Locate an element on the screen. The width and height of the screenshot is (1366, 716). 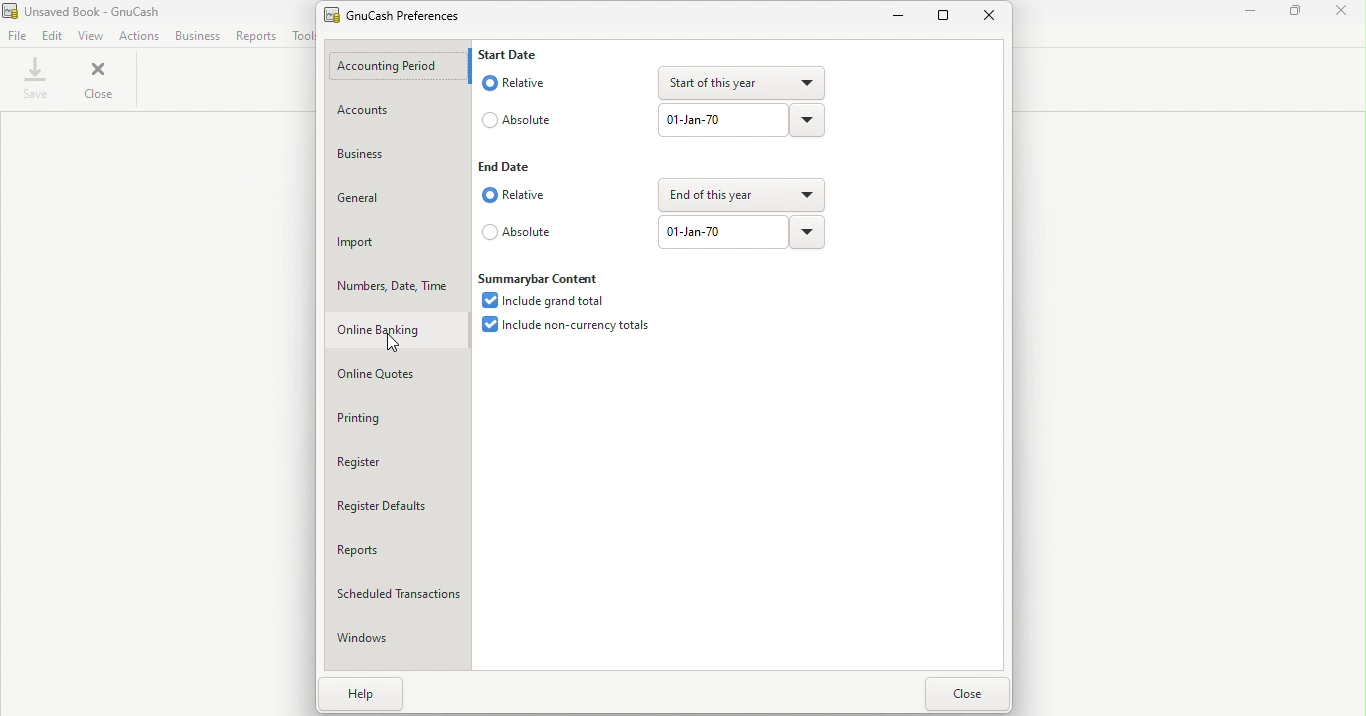
Minimize is located at coordinates (901, 17).